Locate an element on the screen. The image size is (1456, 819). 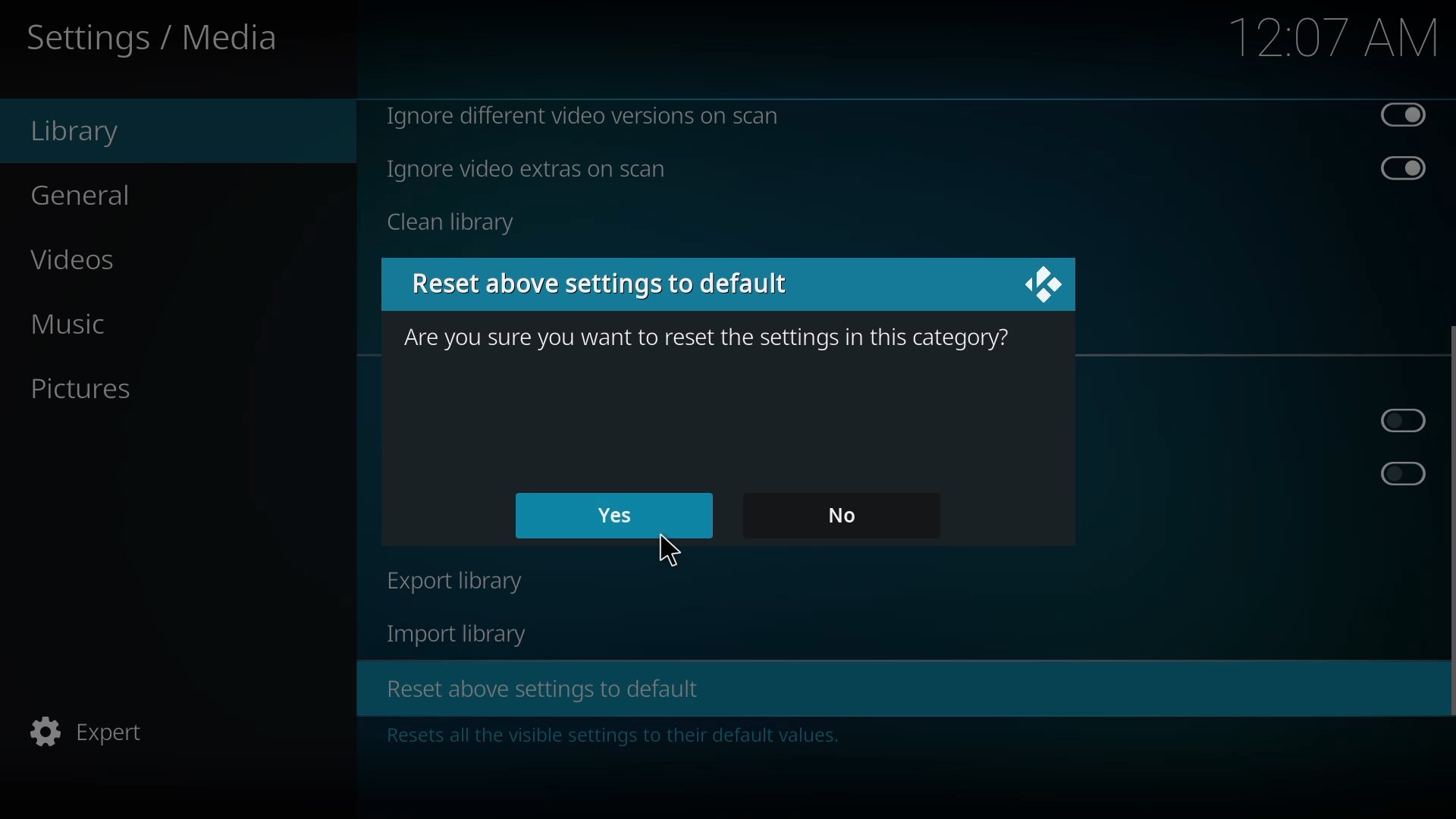
no is located at coordinates (842, 516).